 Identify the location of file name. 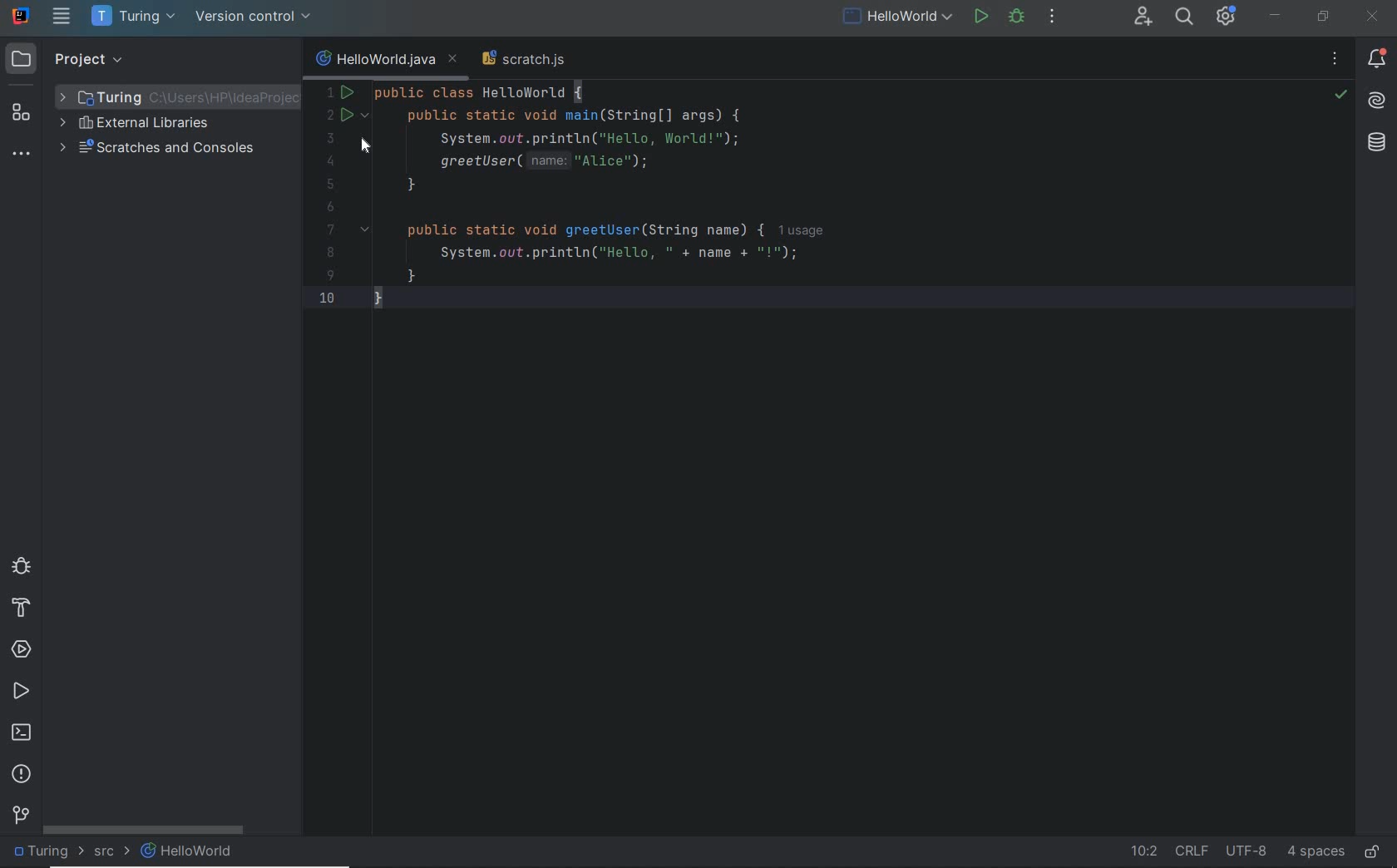
(897, 18).